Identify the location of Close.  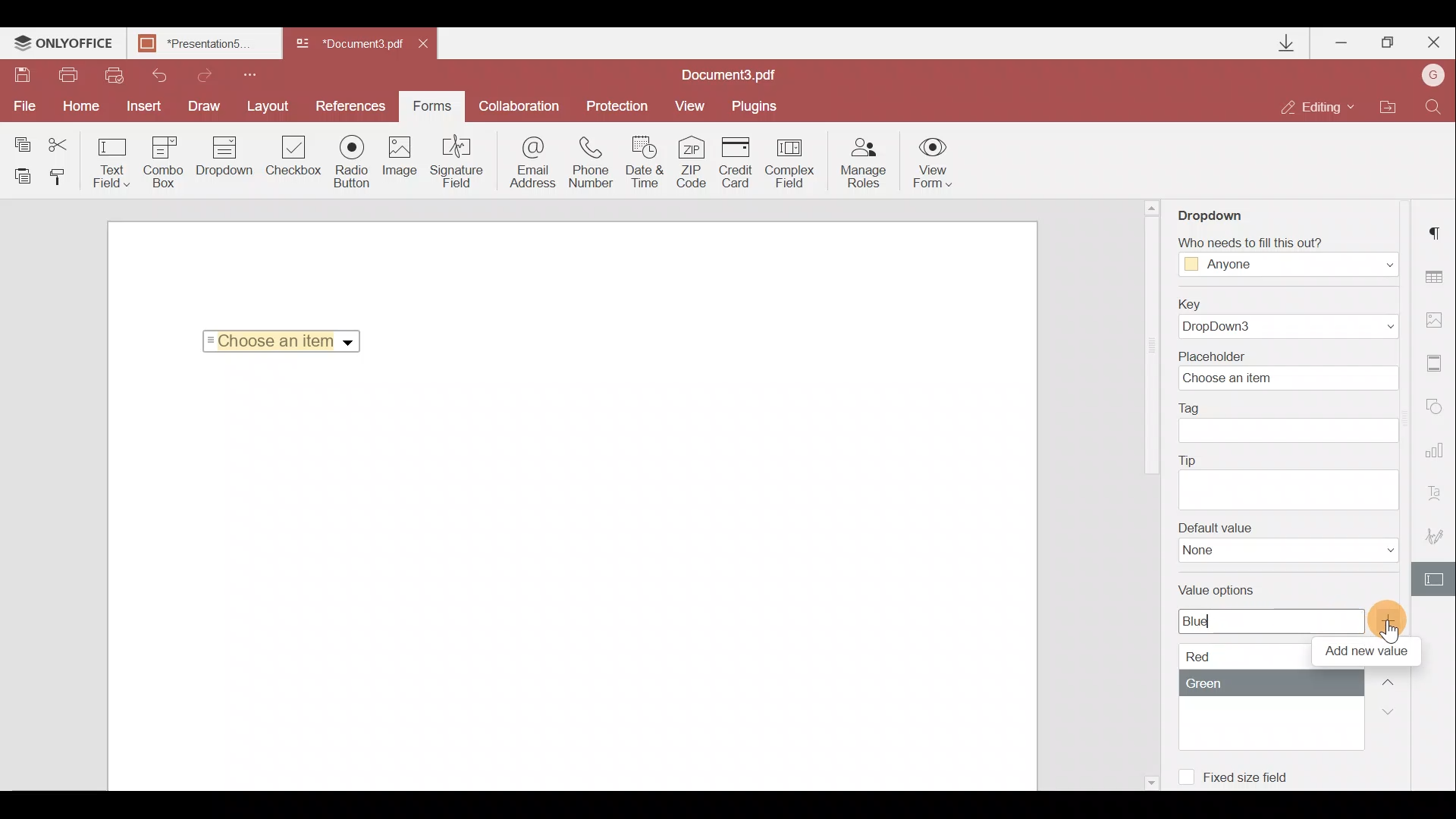
(431, 47).